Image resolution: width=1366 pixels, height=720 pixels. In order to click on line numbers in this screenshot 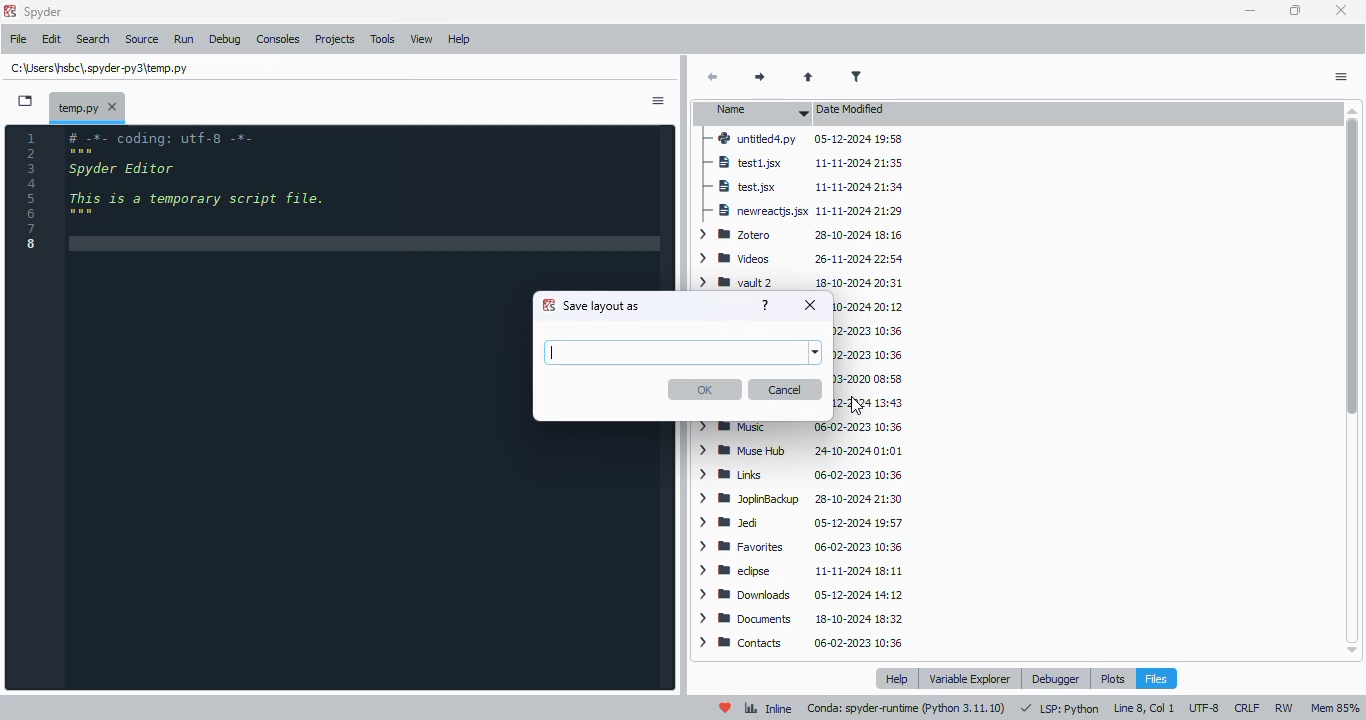, I will do `click(34, 192)`.